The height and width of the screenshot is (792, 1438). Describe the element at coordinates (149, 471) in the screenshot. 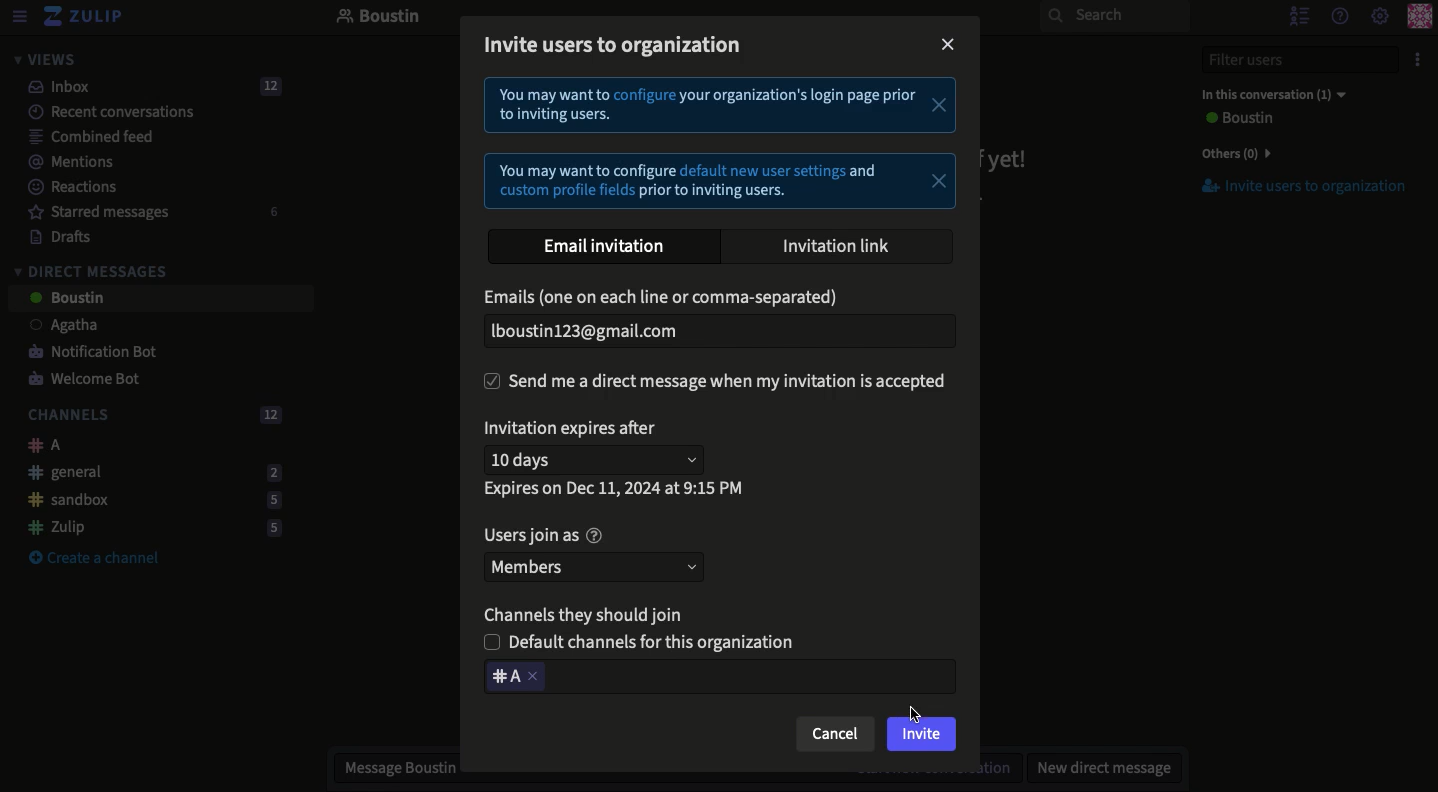

I see `General ` at that location.